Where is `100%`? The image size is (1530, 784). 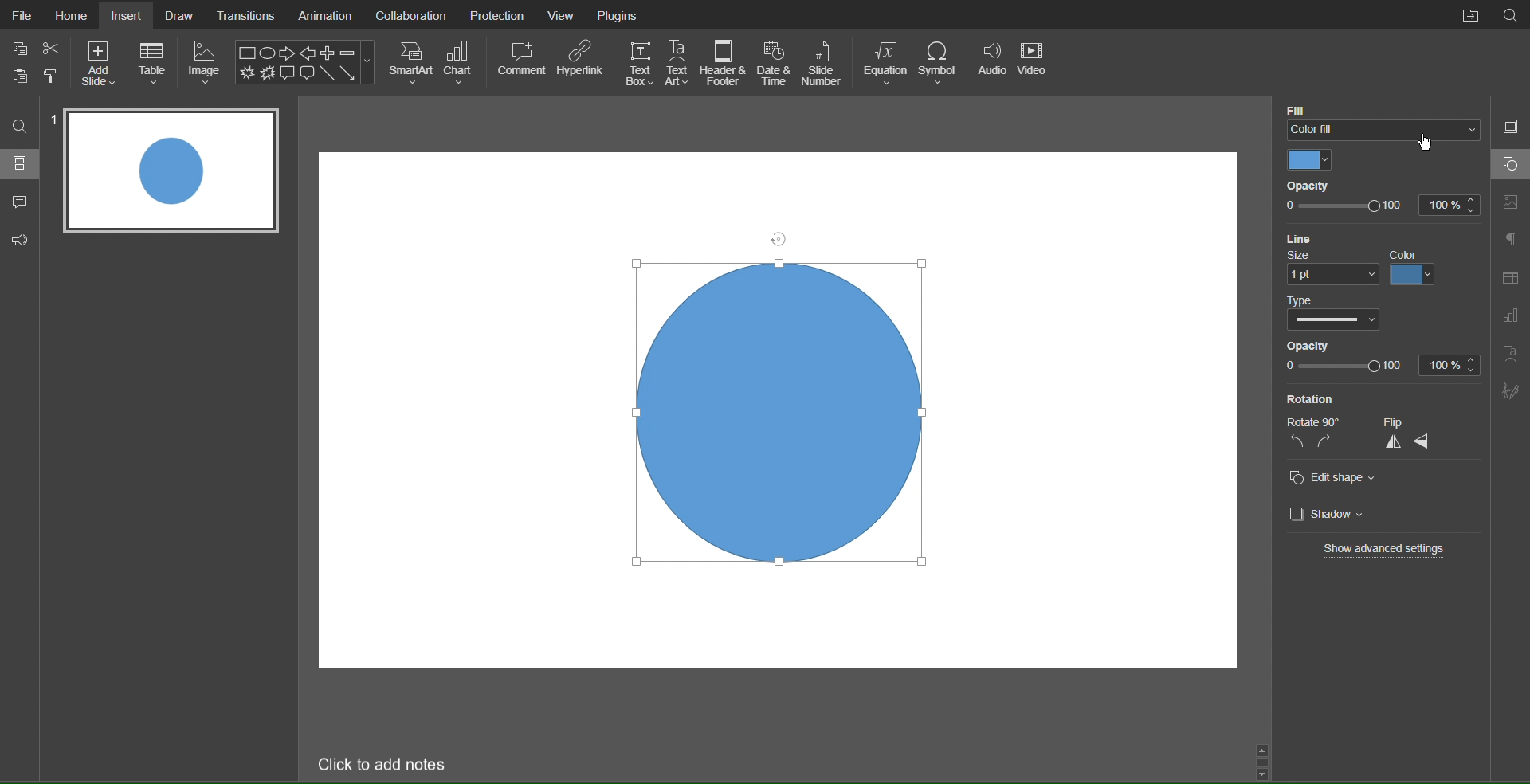
100% is located at coordinates (1451, 205).